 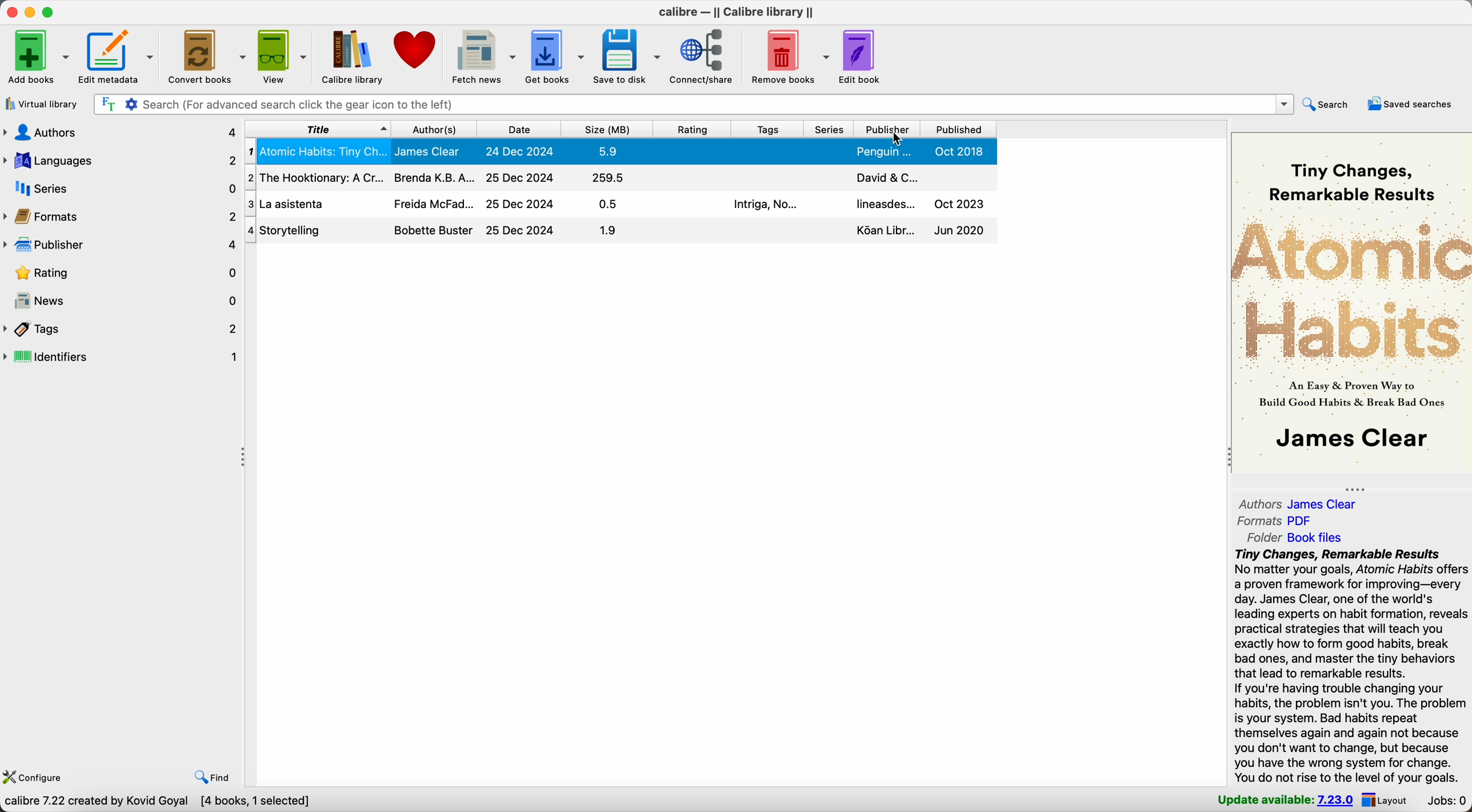 I want to click on publisher, so click(x=121, y=247).